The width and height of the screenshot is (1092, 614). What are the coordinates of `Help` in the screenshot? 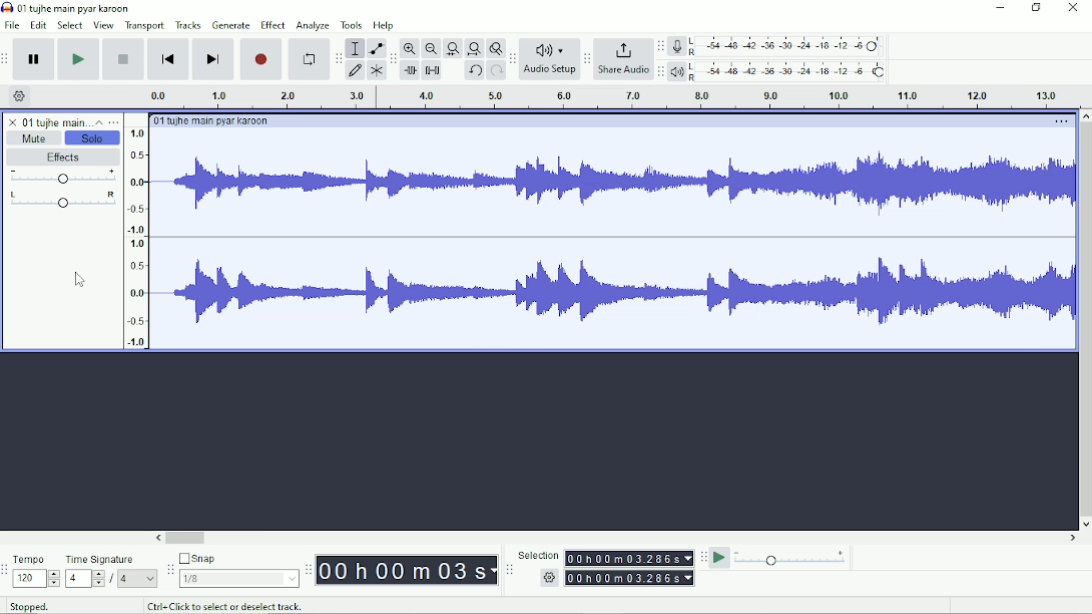 It's located at (383, 25).